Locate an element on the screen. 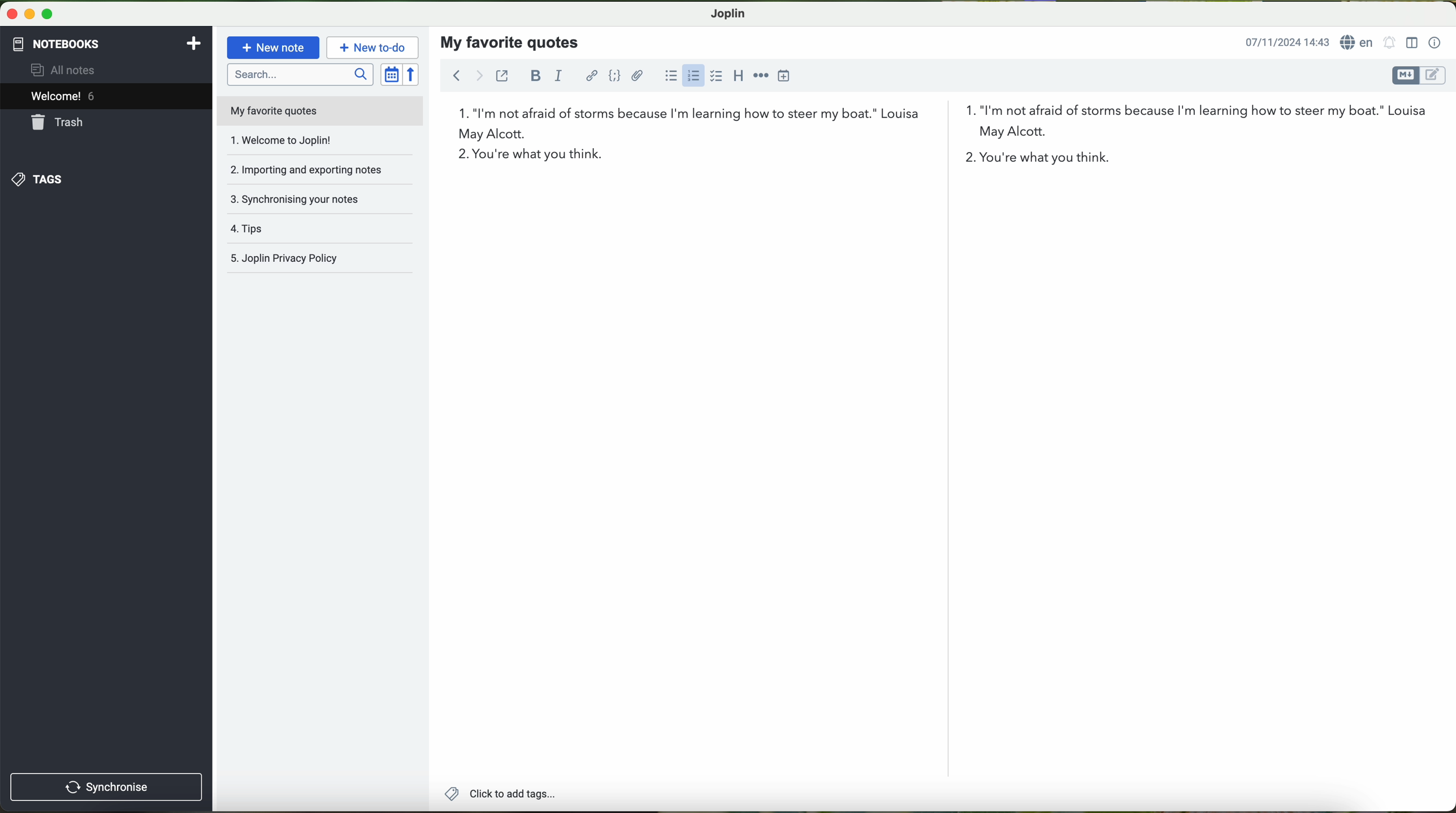 This screenshot has width=1456, height=813. welcome to joplin is located at coordinates (307, 141).